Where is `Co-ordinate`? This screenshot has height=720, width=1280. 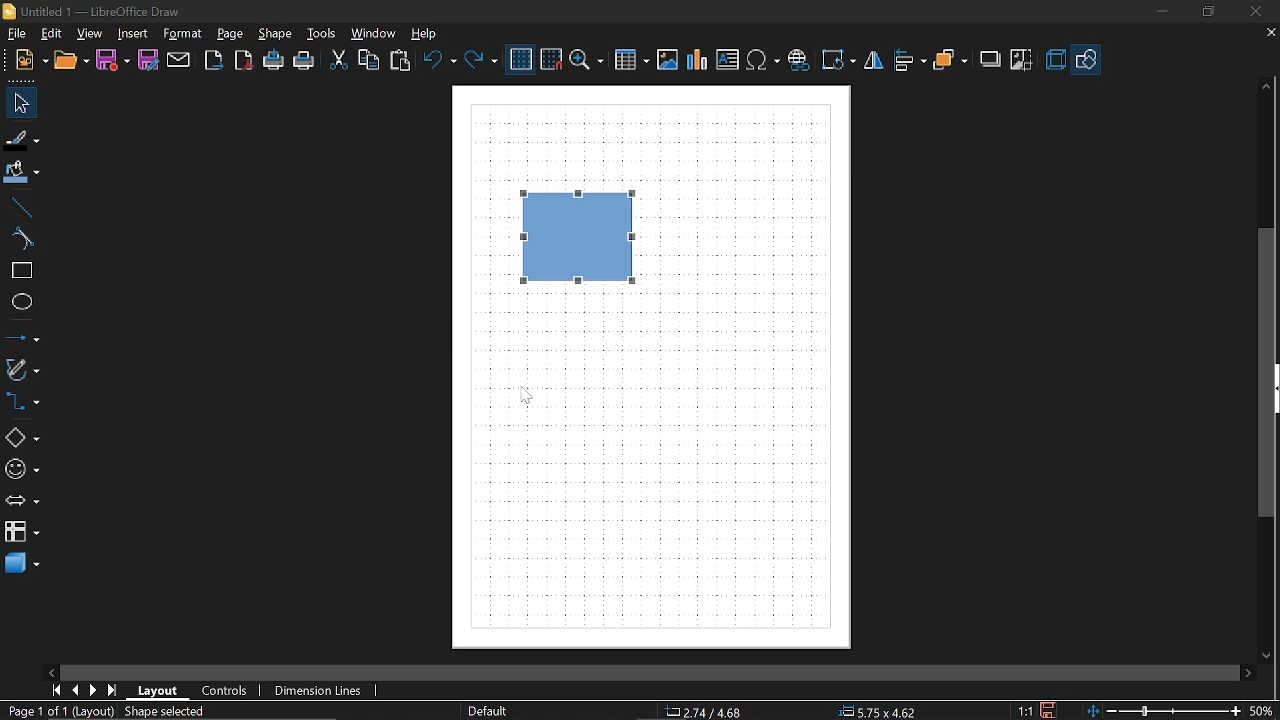
Co-ordinate is located at coordinates (701, 712).